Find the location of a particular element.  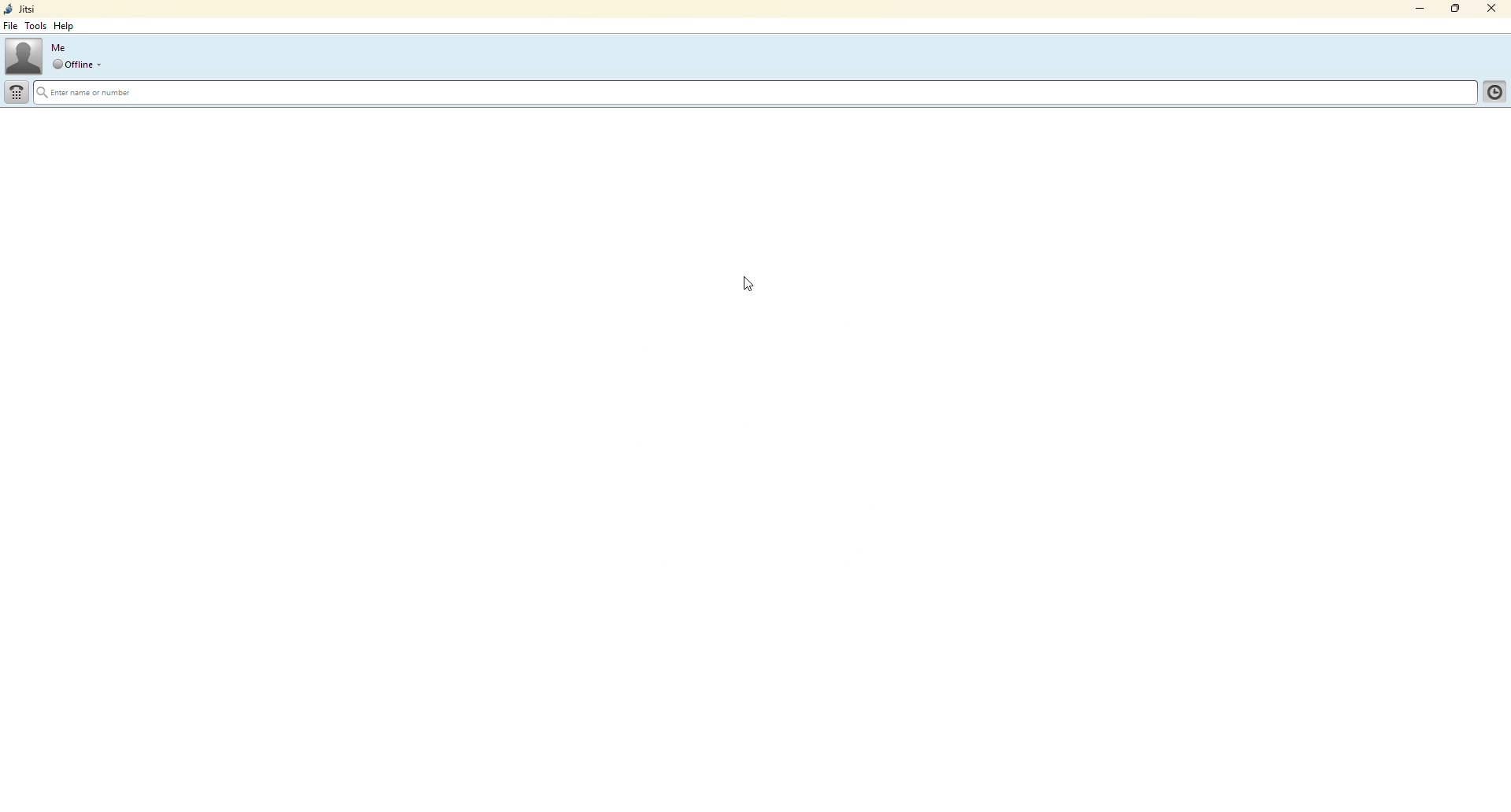

help is located at coordinates (65, 26).